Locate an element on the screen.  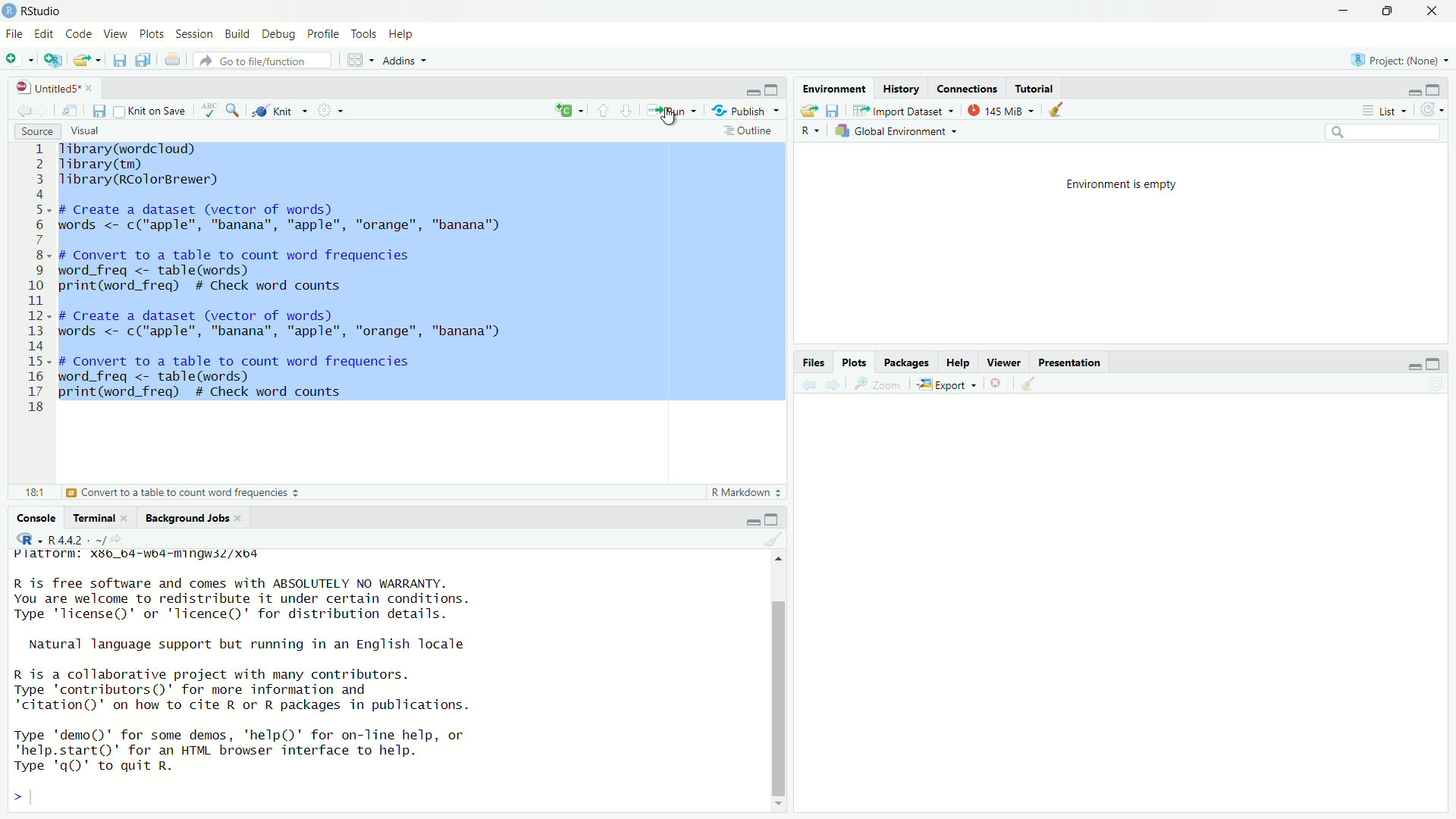
History is located at coordinates (902, 90).